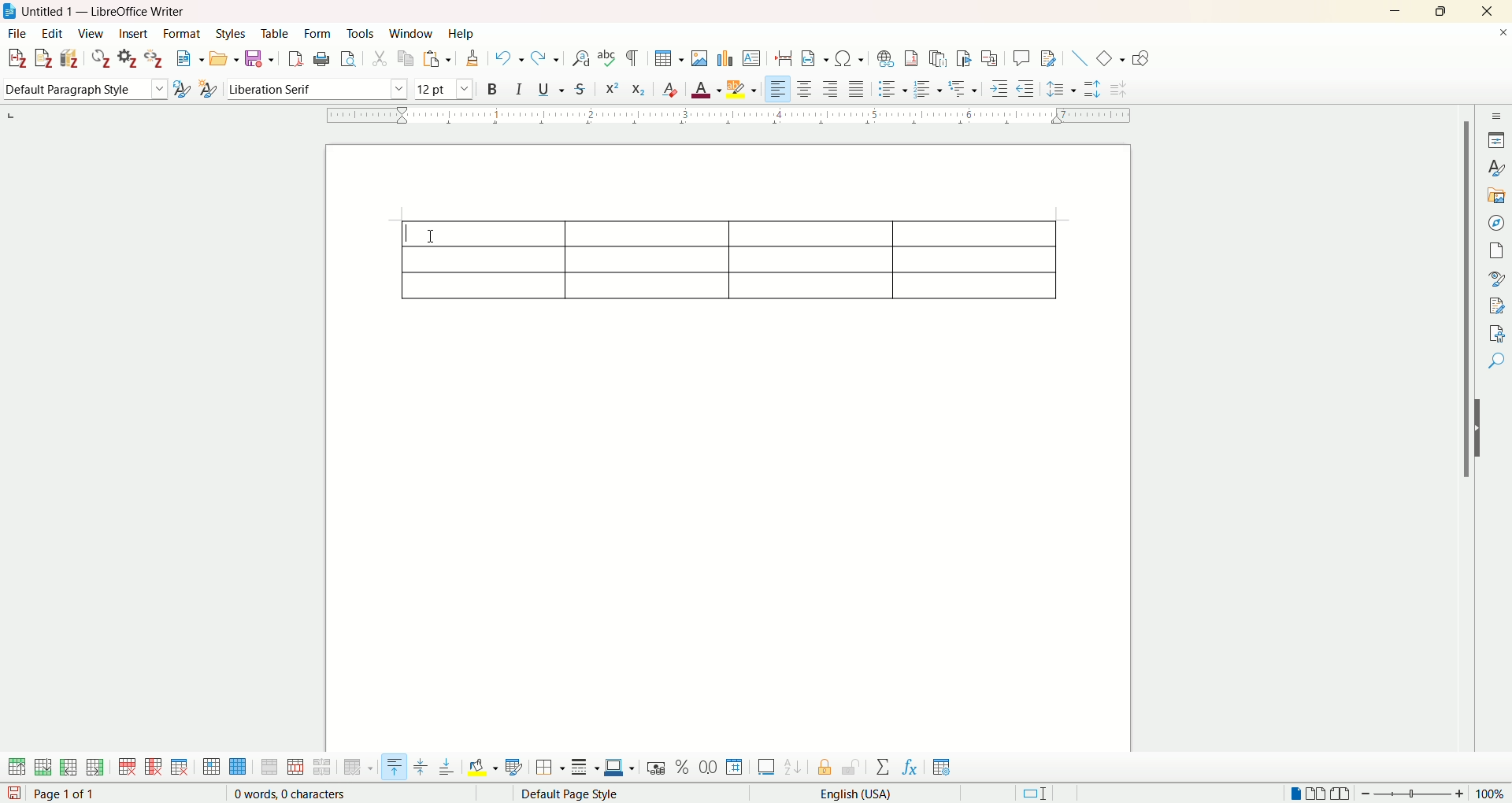 This screenshot has width=1512, height=803. What do you see at coordinates (429, 238) in the screenshot?
I see `cursor` at bounding box center [429, 238].